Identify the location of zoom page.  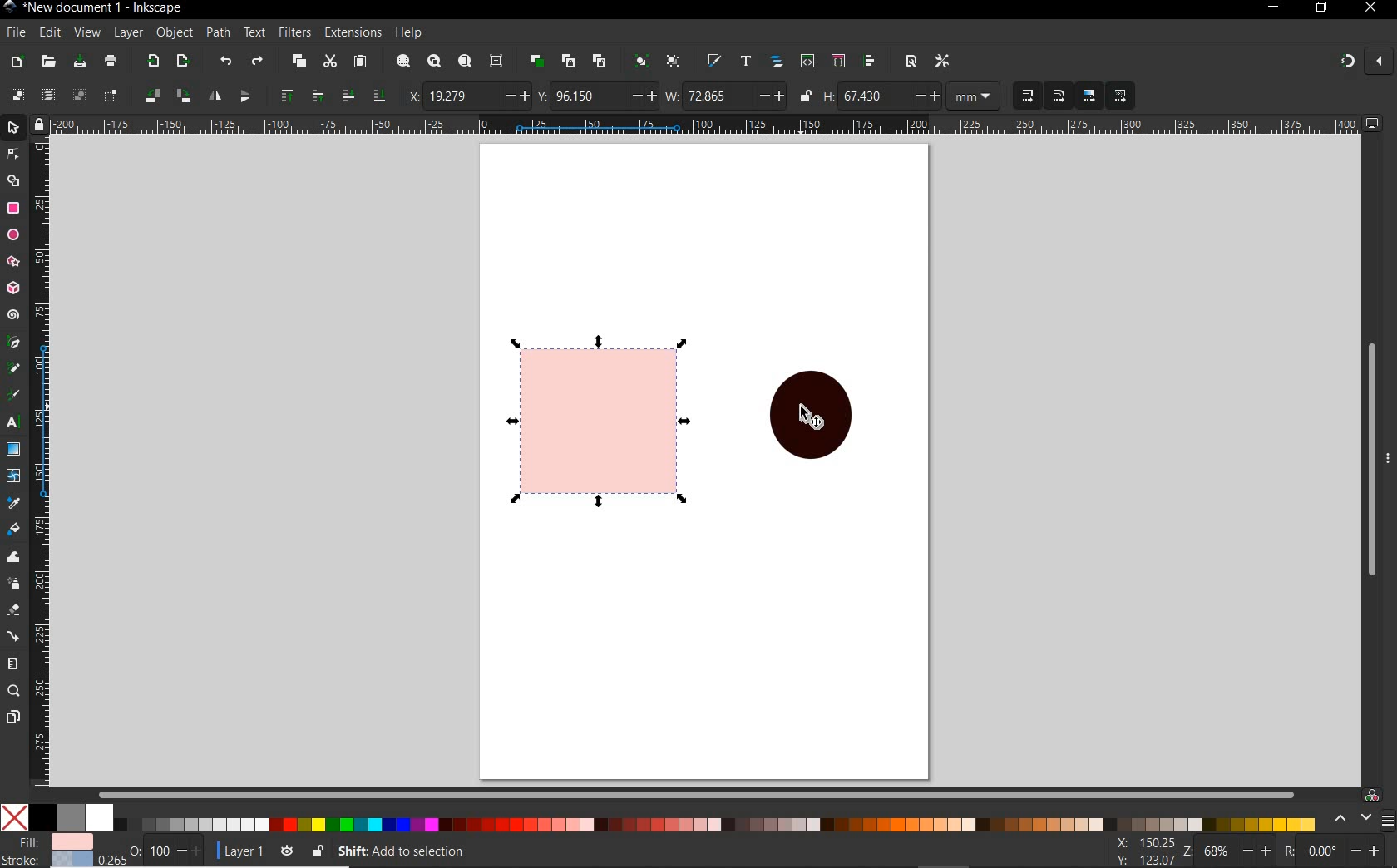
(465, 60).